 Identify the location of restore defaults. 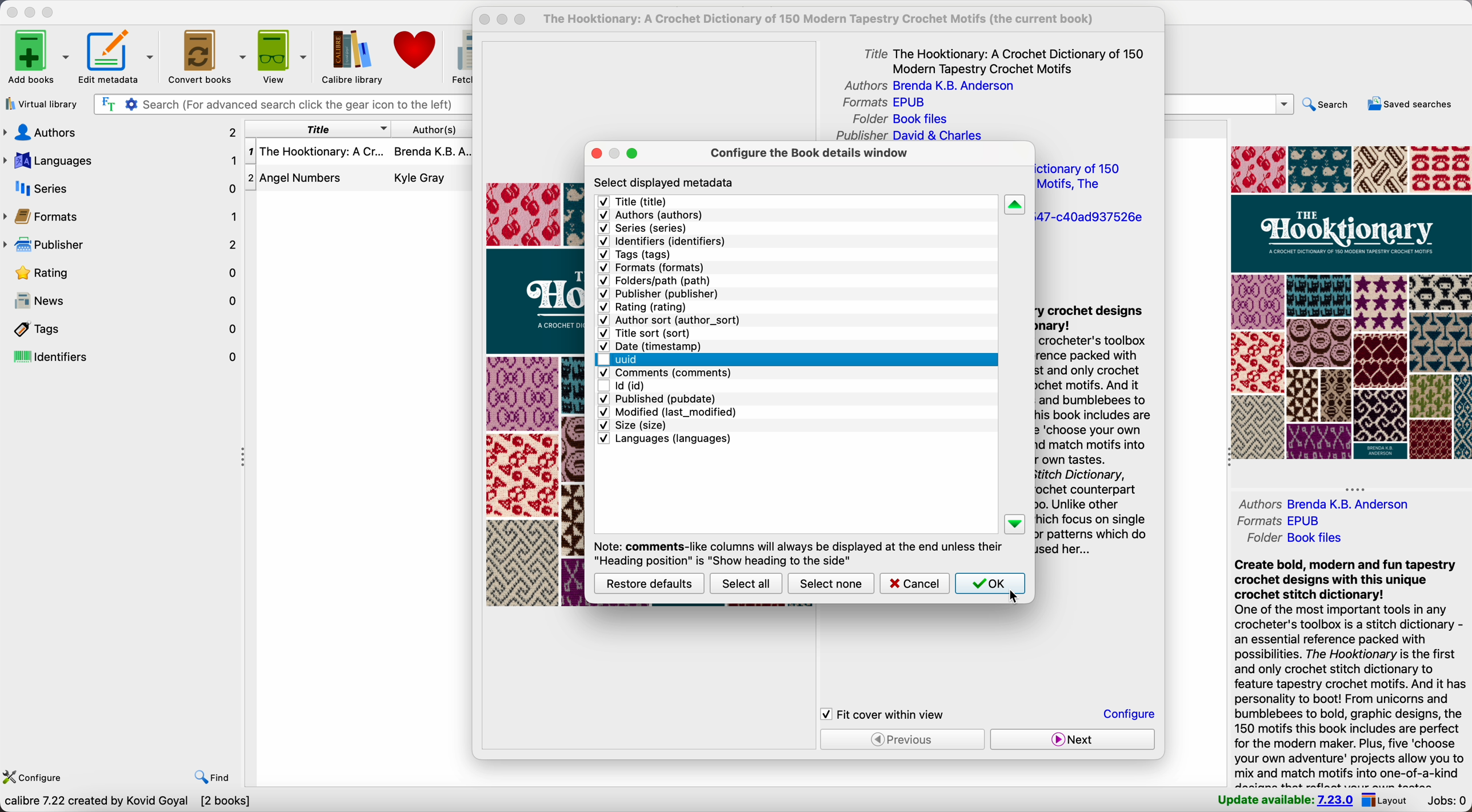
(650, 583).